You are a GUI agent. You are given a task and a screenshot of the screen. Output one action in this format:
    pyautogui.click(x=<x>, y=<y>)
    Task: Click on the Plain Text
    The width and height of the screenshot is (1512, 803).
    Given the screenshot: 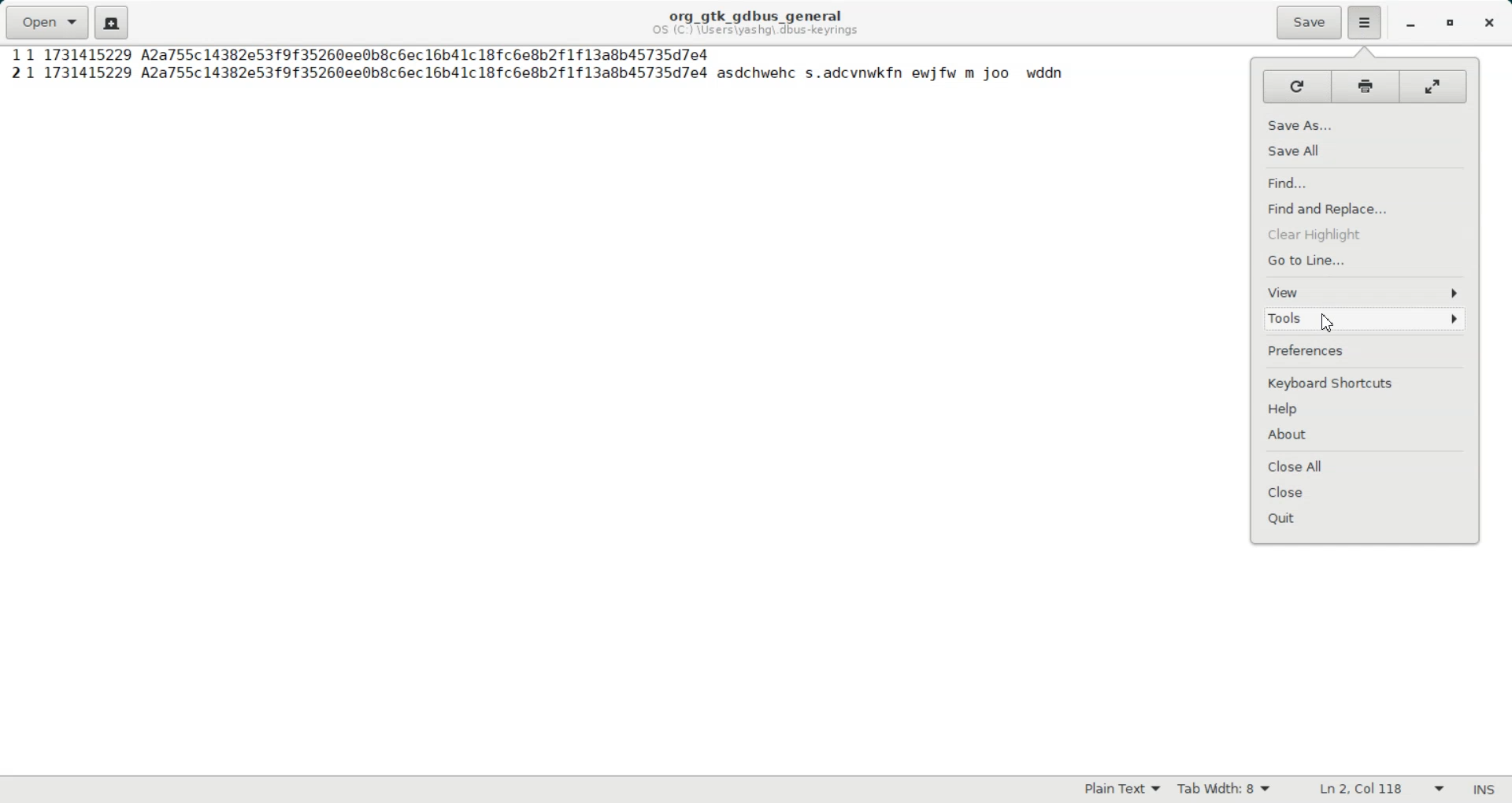 What is the action you would take?
    pyautogui.click(x=1120, y=789)
    